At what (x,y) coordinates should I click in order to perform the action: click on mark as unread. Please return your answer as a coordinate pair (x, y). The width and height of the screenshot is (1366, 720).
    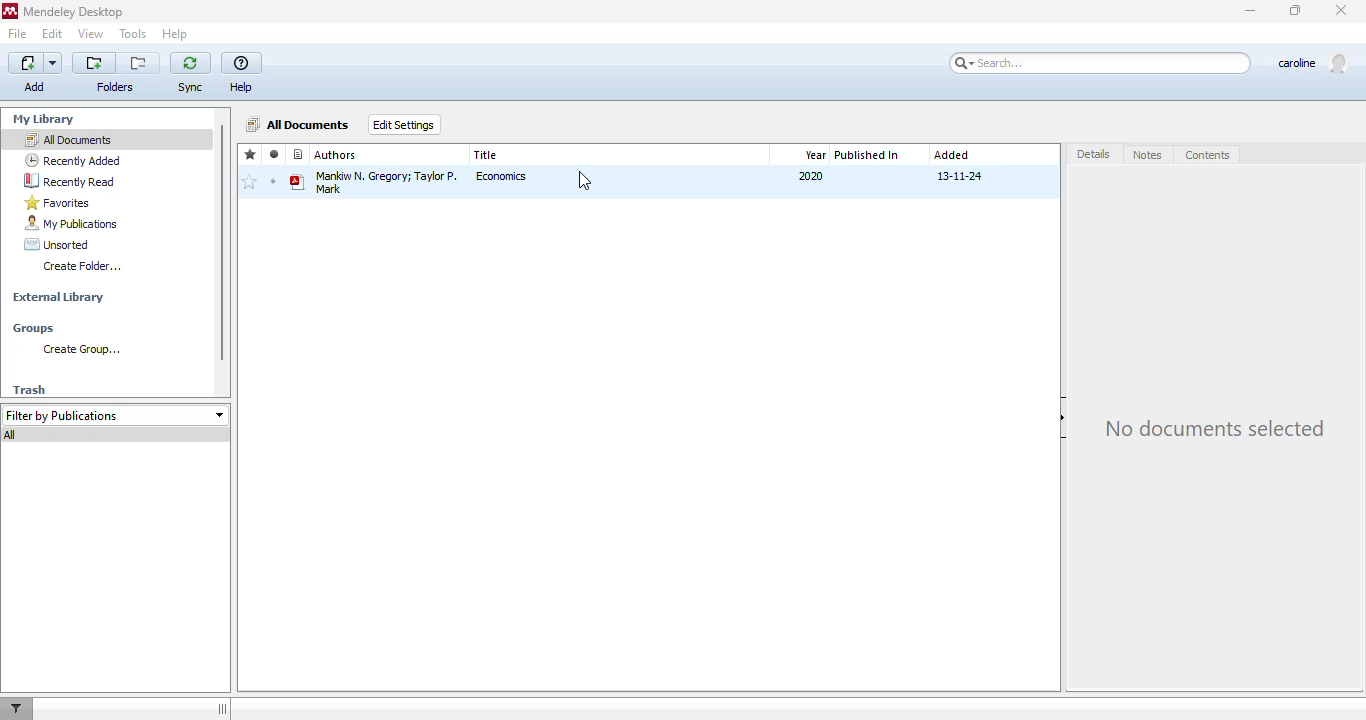
    Looking at the image, I should click on (273, 180).